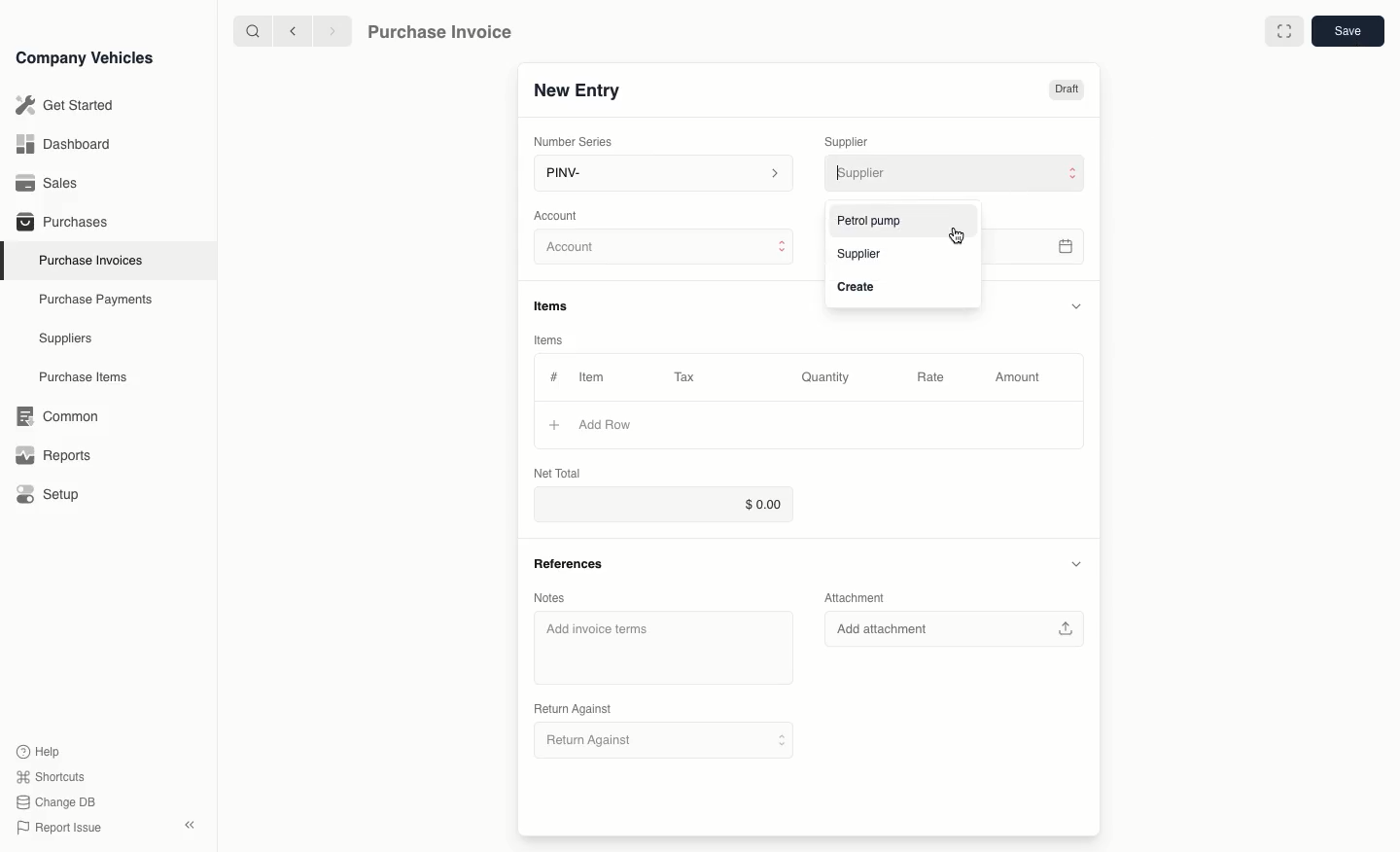 This screenshot has width=1400, height=852. I want to click on Add attachment, so click(952, 627).